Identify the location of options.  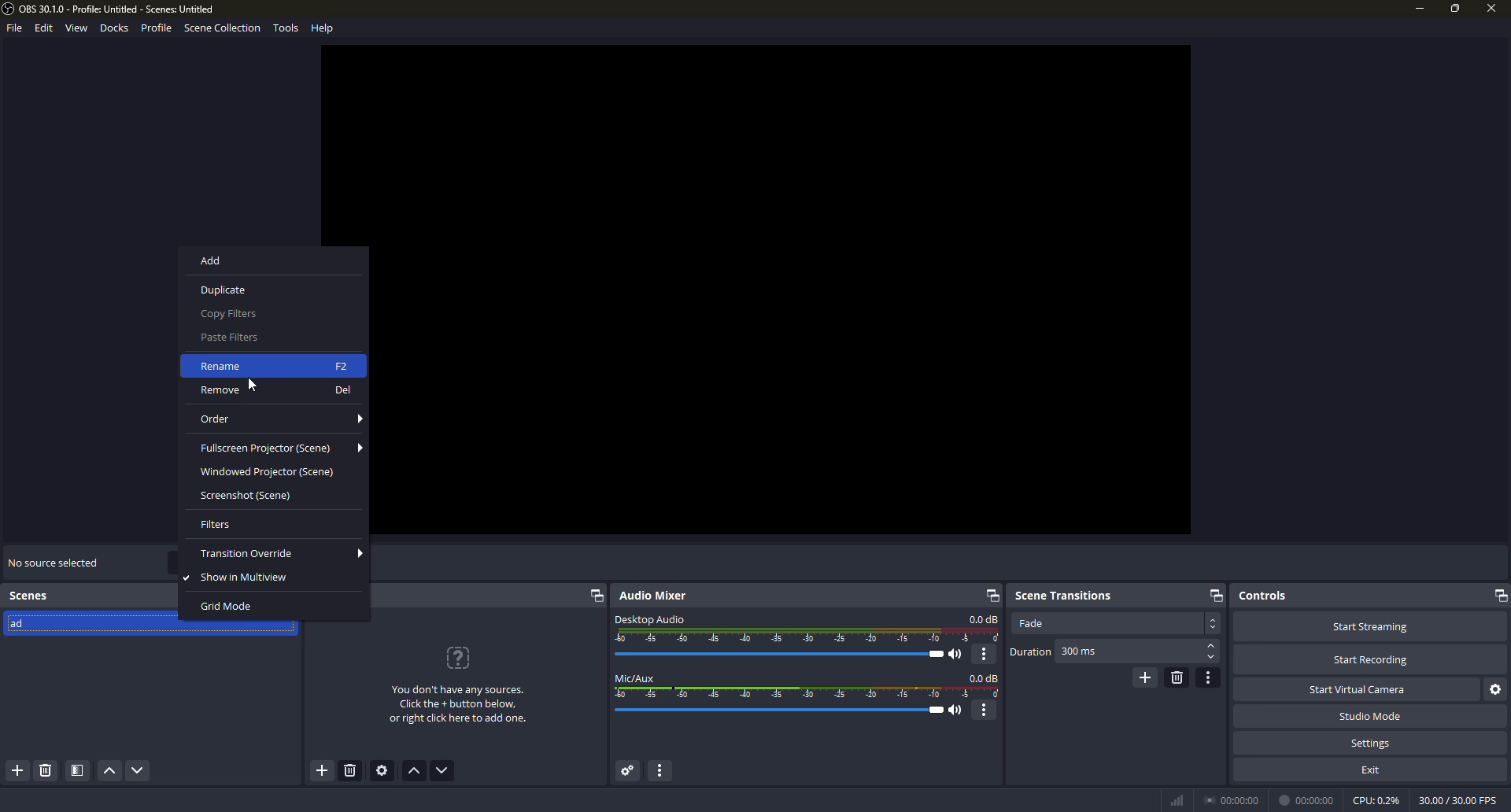
(986, 710).